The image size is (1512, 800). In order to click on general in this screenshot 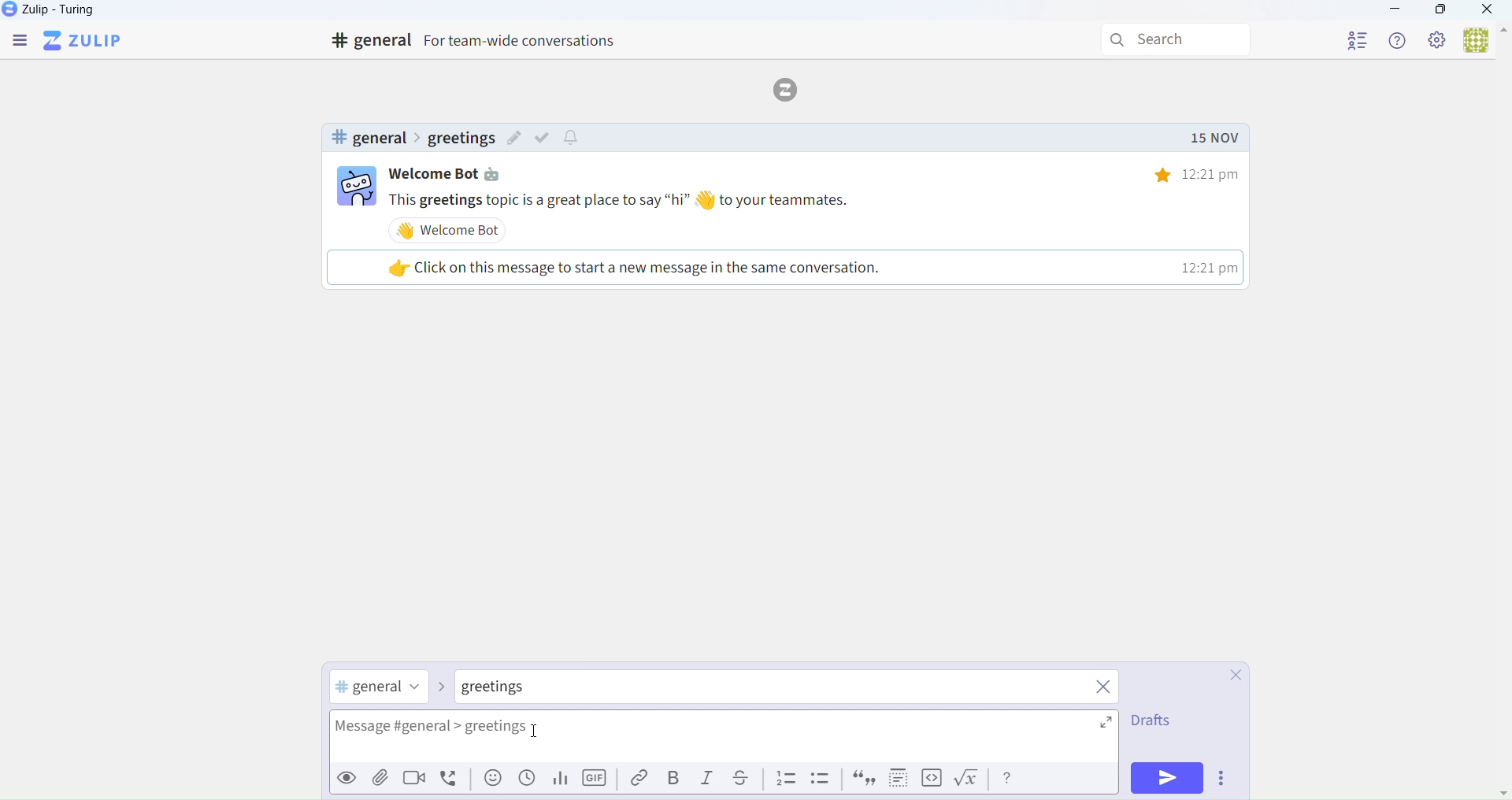, I will do `click(368, 138)`.